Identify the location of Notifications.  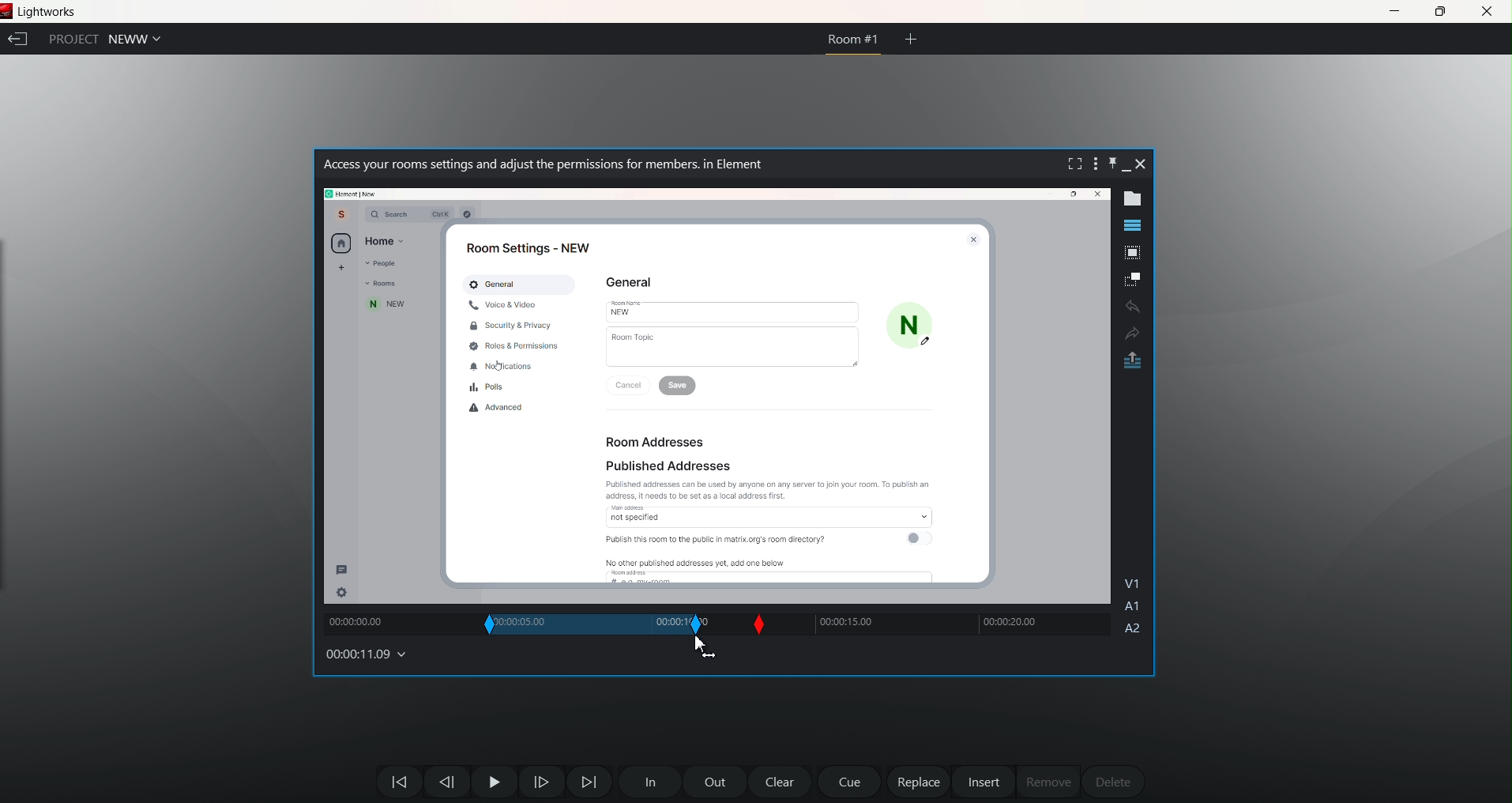
(504, 366).